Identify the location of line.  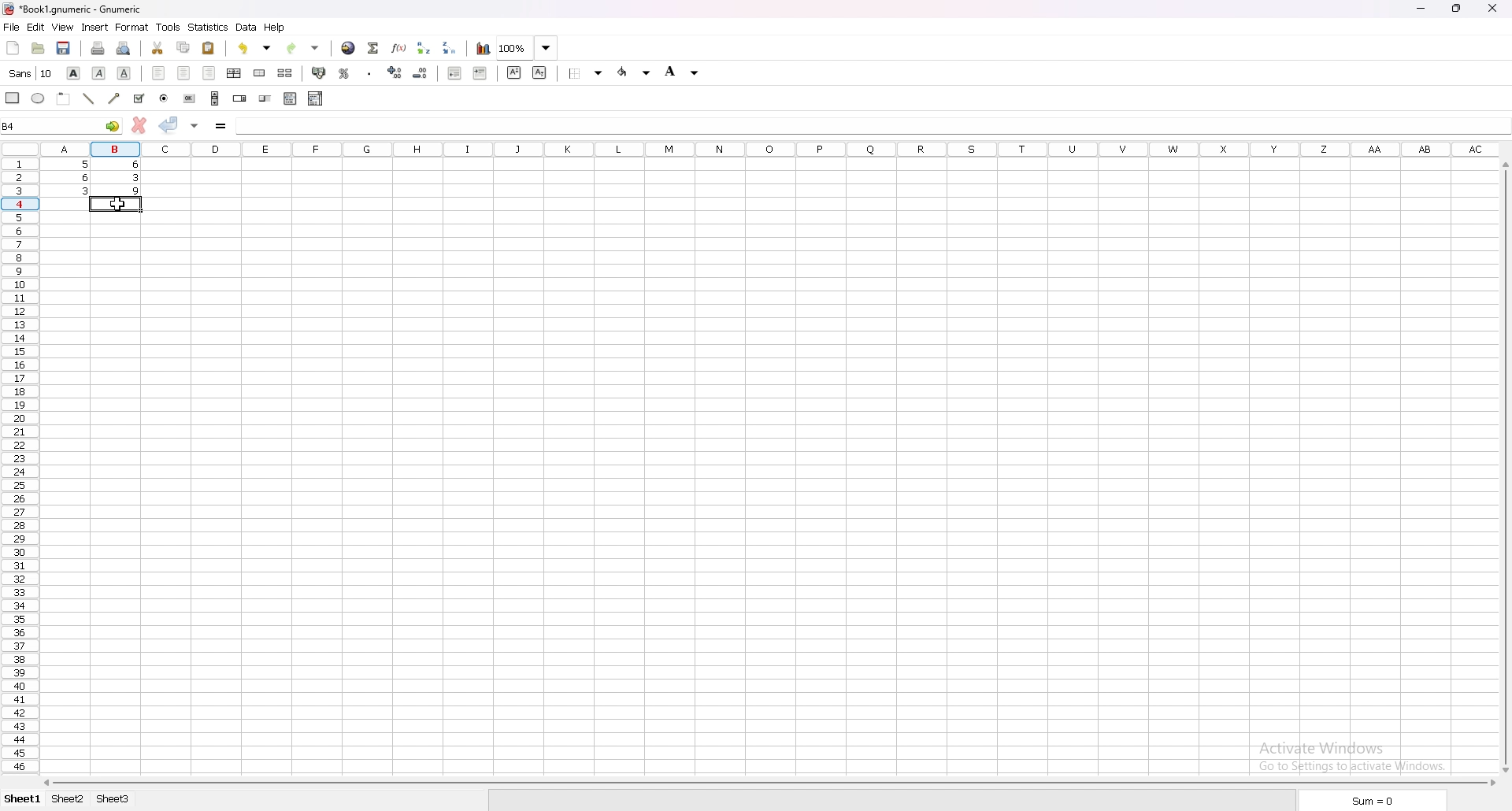
(87, 98).